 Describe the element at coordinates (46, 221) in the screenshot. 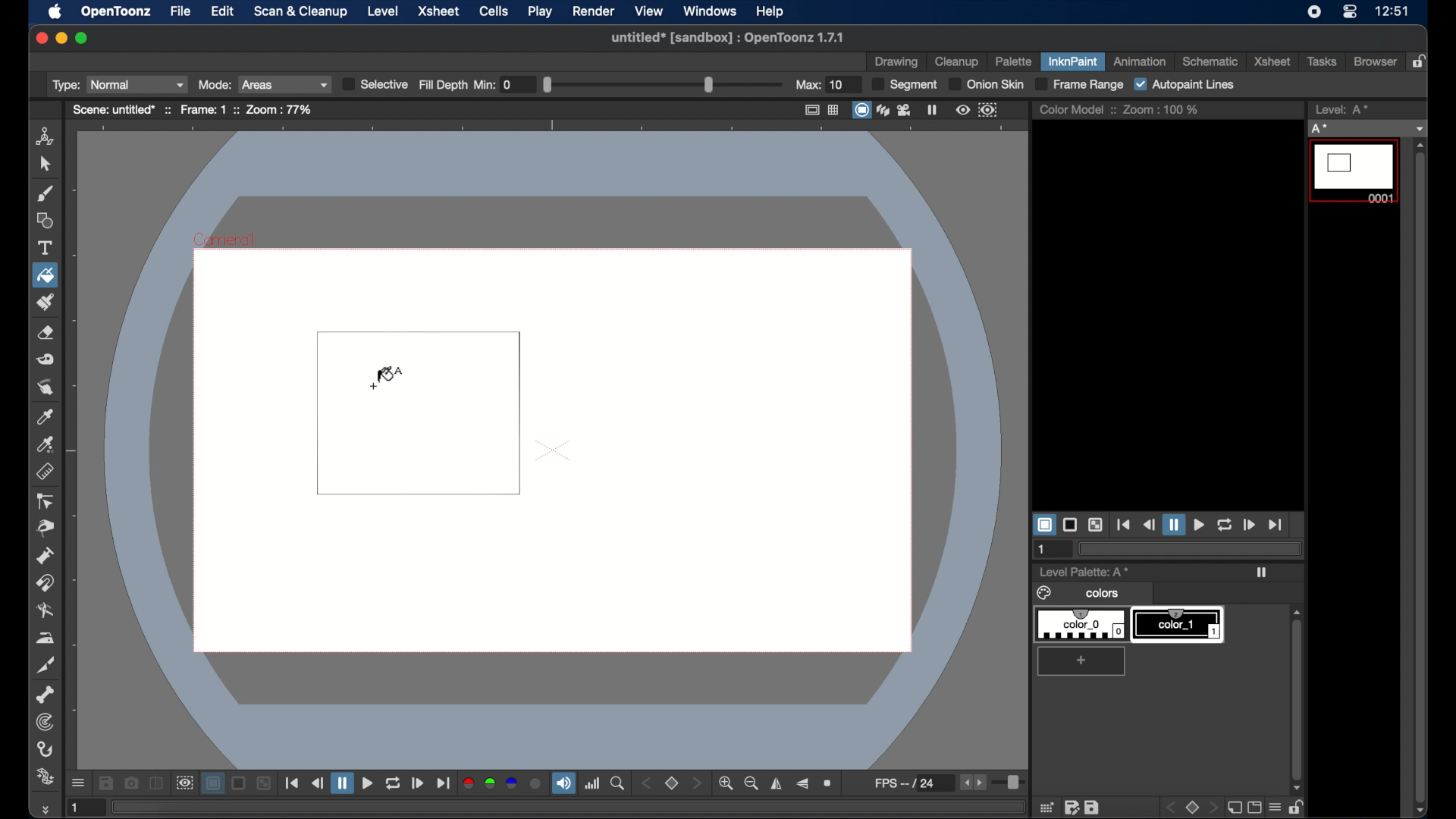

I see `shapes` at that location.